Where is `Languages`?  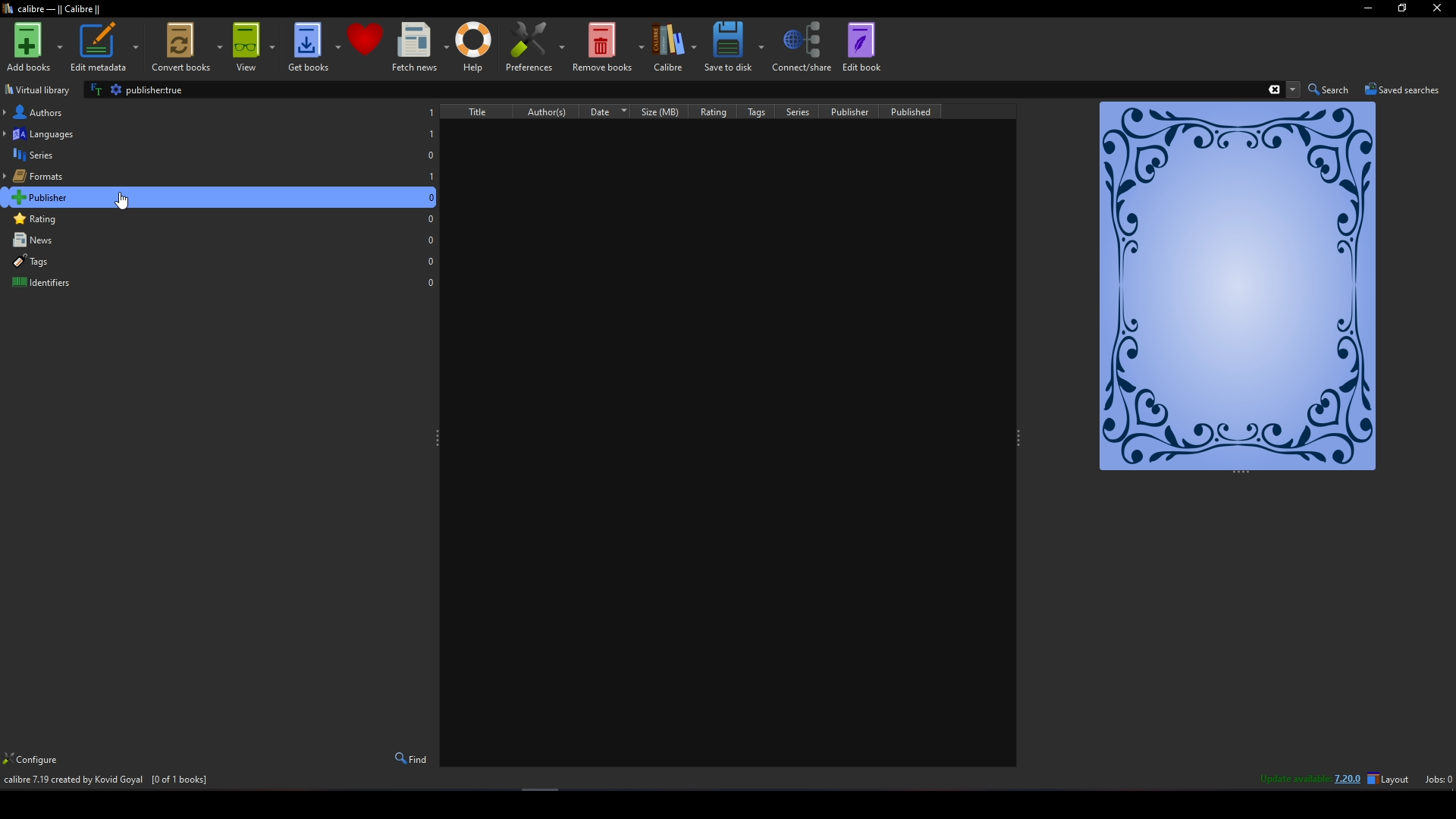 Languages is located at coordinates (220, 132).